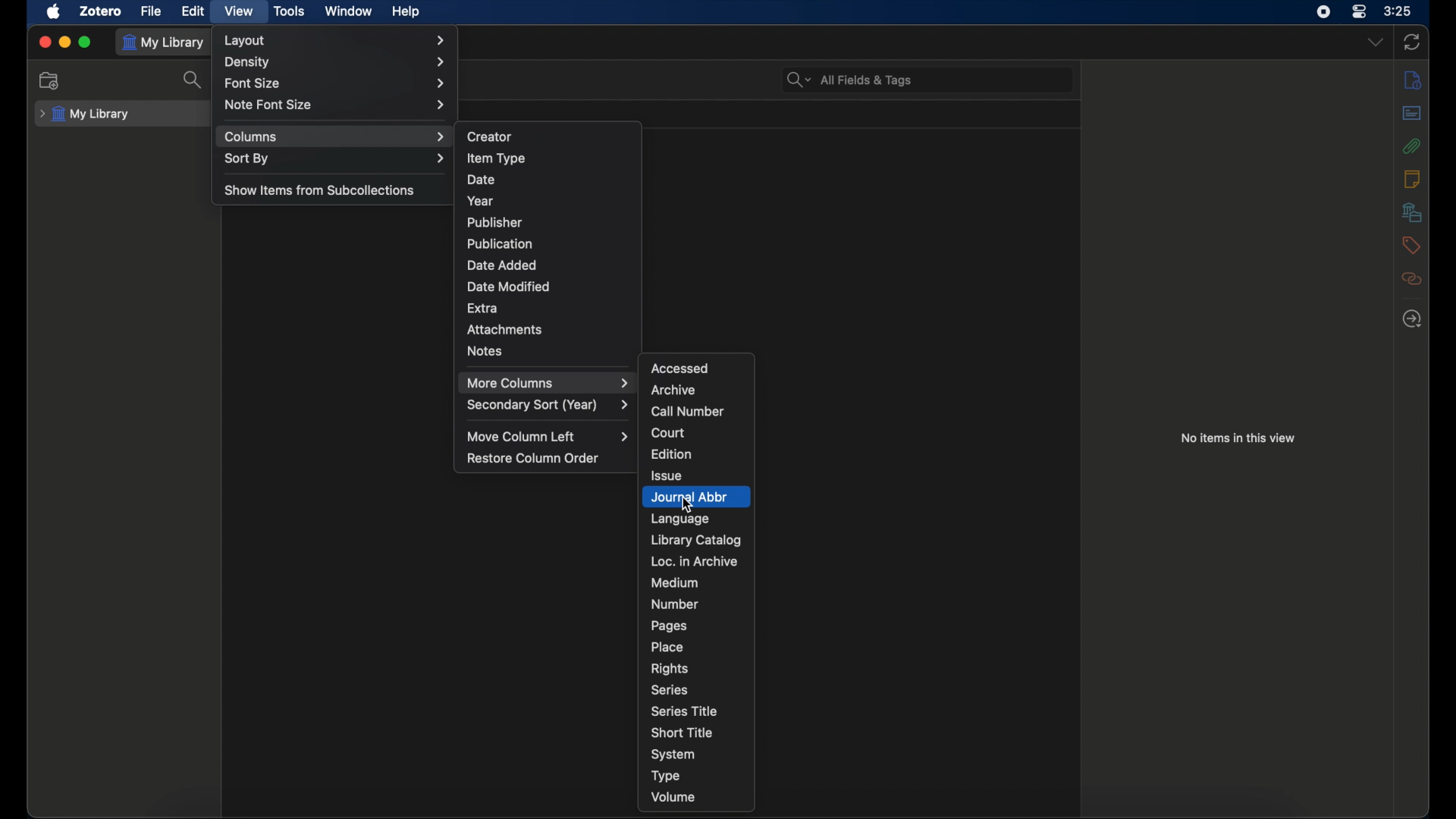  I want to click on zotero, so click(101, 11).